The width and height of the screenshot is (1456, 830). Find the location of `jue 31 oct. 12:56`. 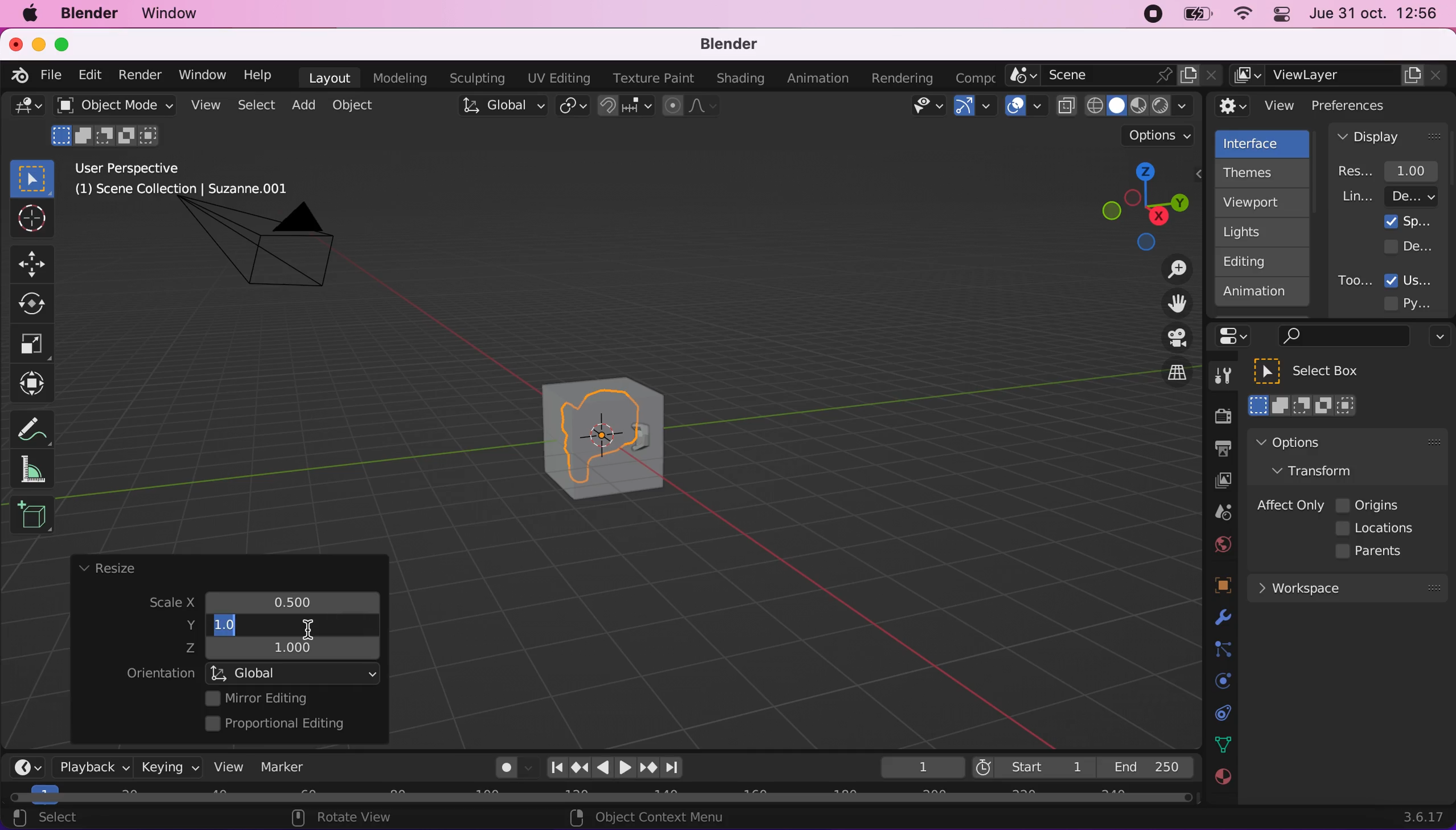

jue 31 oct. 12:56 is located at coordinates (1374, 14).